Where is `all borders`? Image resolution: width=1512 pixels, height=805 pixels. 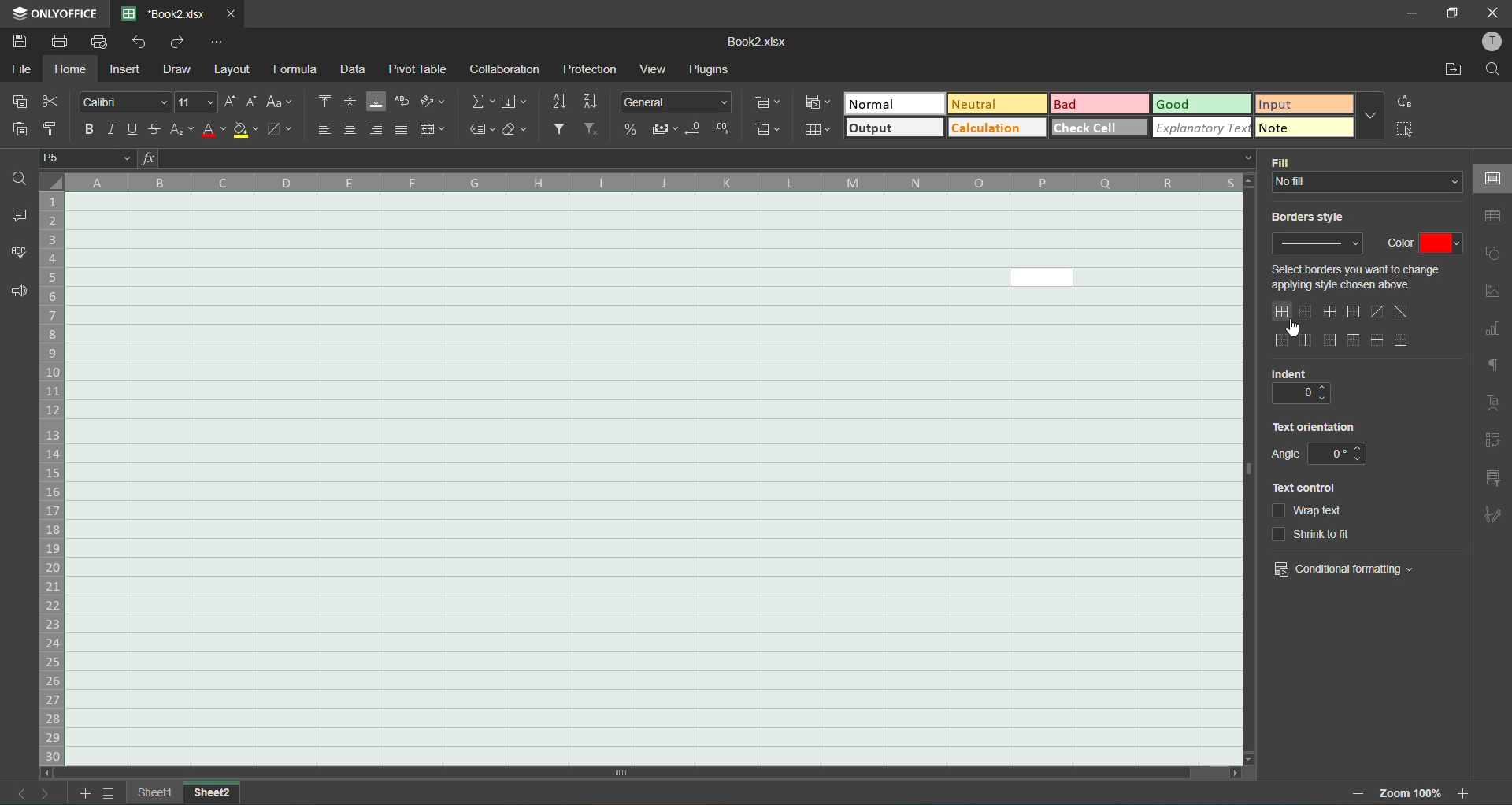
all borders is located at coordinates (1284, 312).